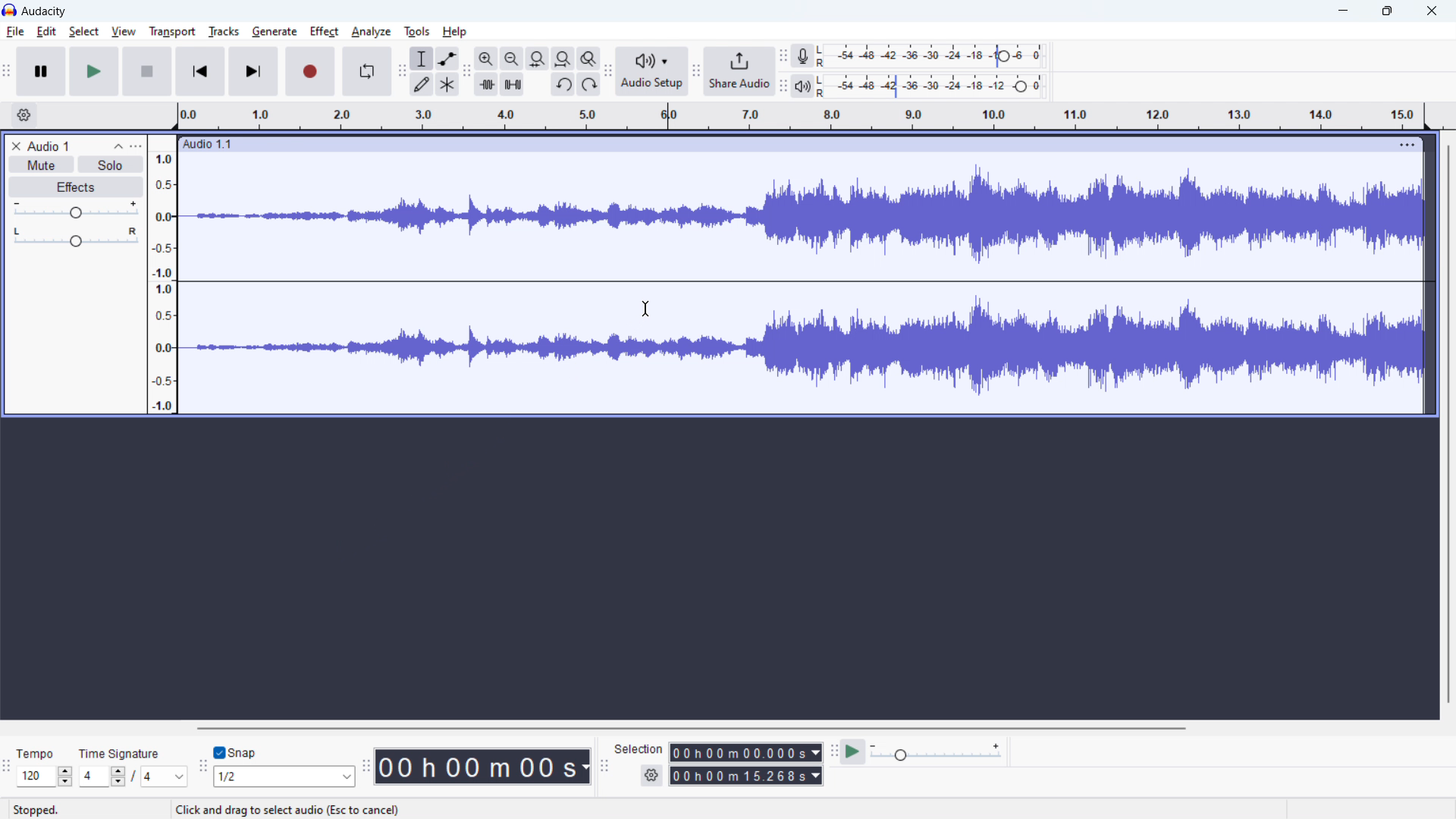  I want to click on selection toolbar, so click(604, 766).